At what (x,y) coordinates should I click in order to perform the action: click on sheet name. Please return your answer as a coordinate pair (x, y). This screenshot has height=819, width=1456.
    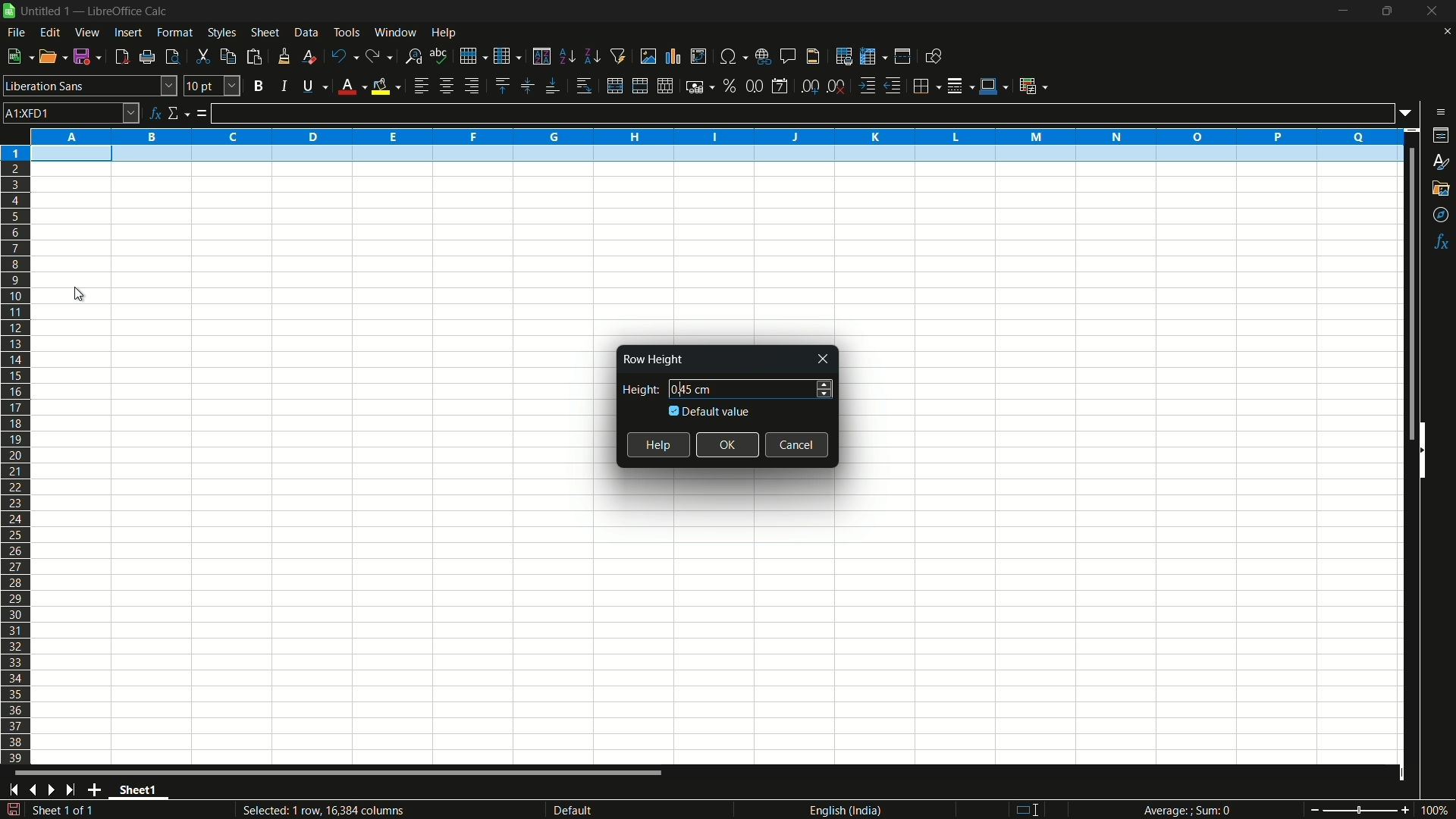
    Looking at the image, I should click on (143, 792).